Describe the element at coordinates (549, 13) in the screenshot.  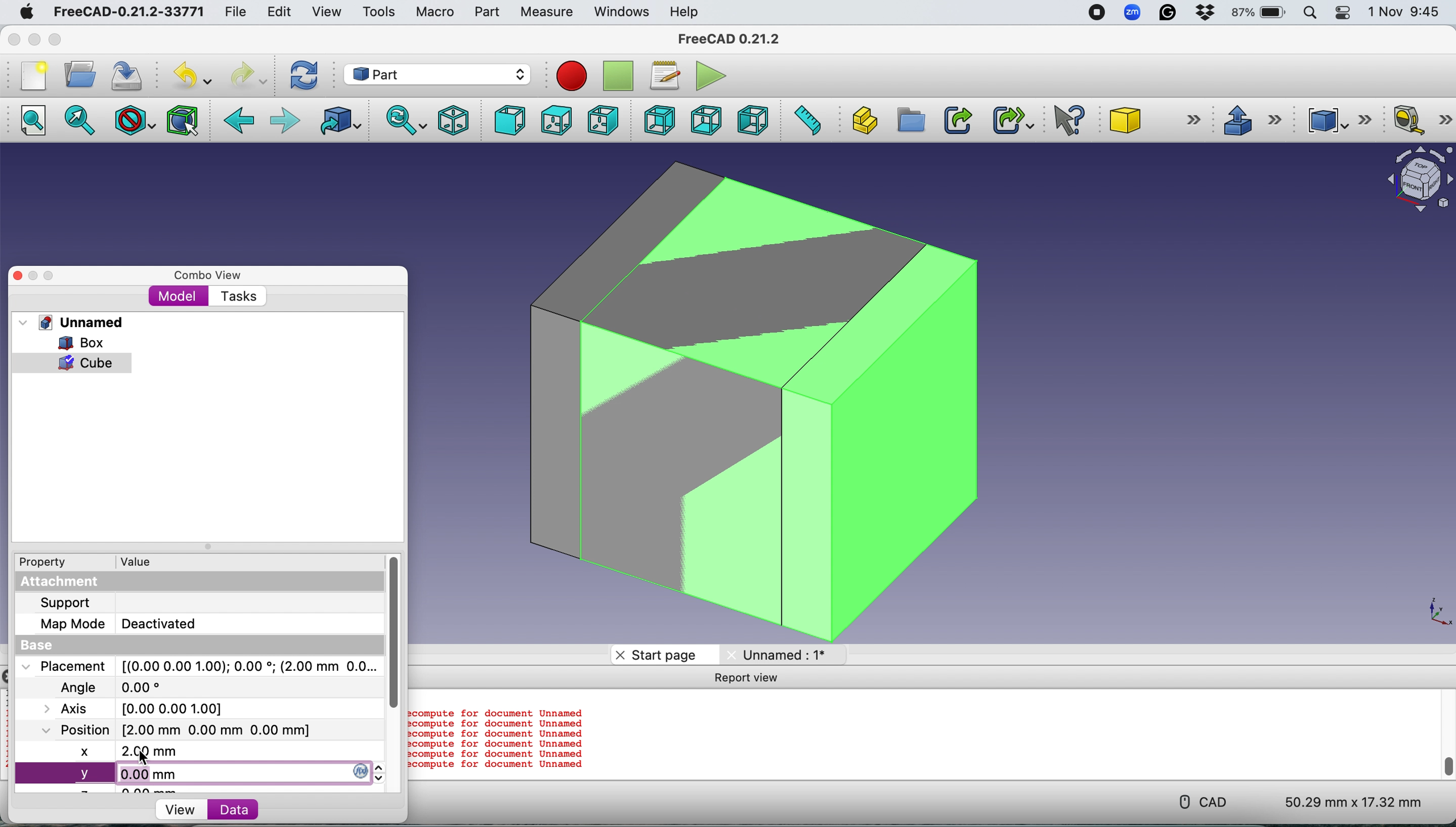
I see `Measure` at that location.